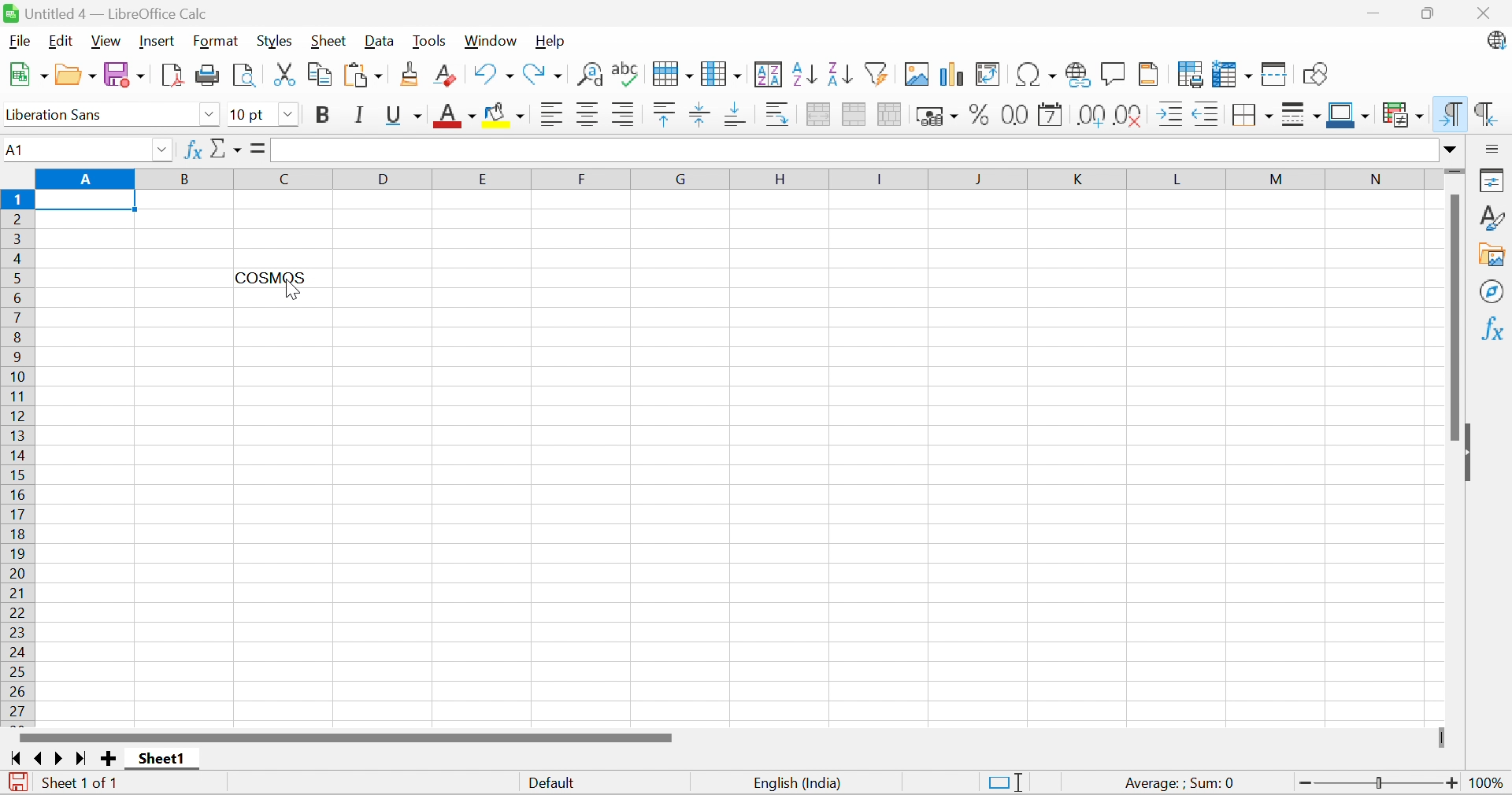 Image resolution: width=1512 pixels, height=795 pixels. Describe the element at coordinates (125, 74) in the screenshot. I see `Save` at that location.